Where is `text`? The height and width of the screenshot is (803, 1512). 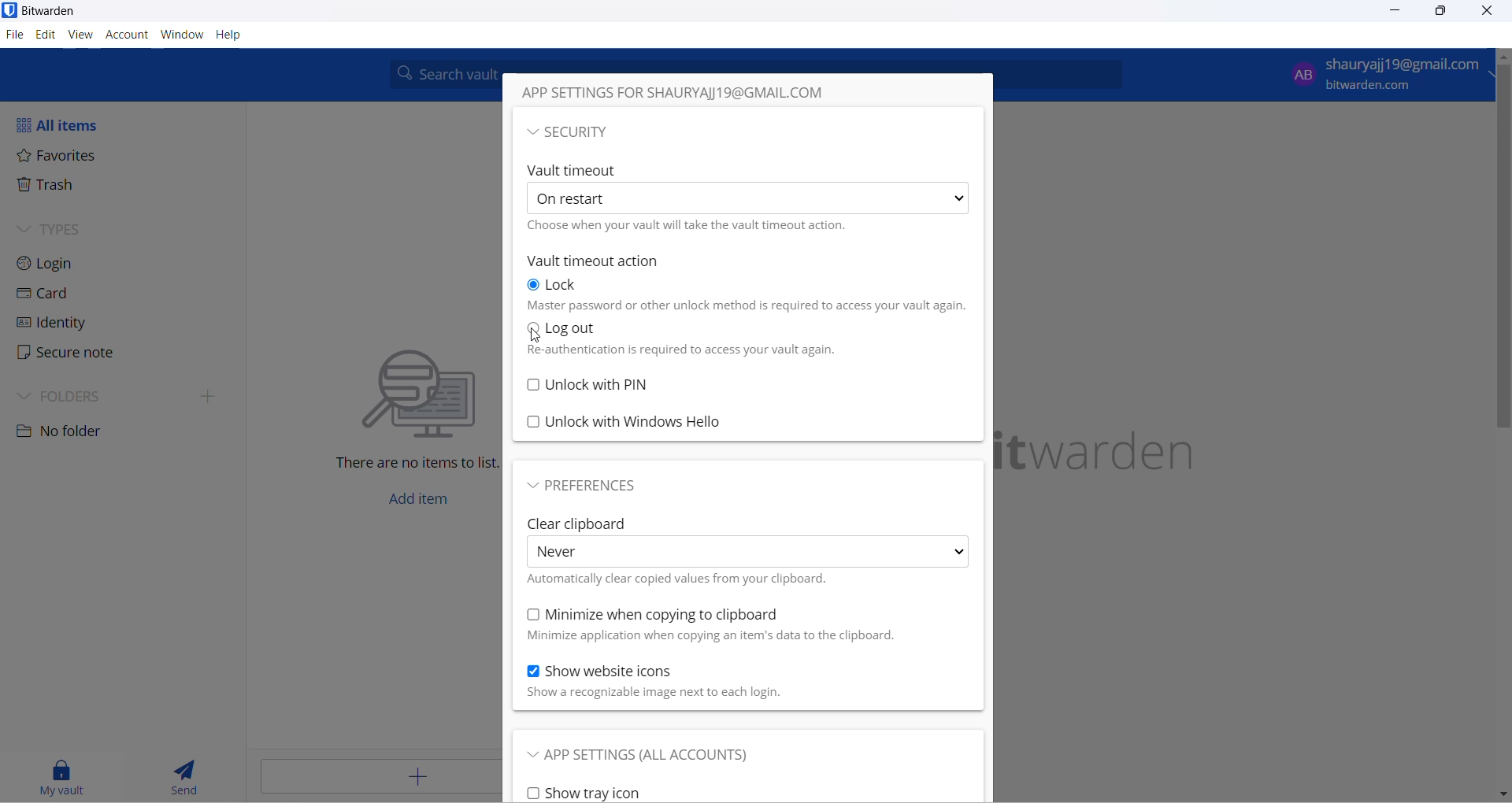
text is located at coordinates (677, 351).